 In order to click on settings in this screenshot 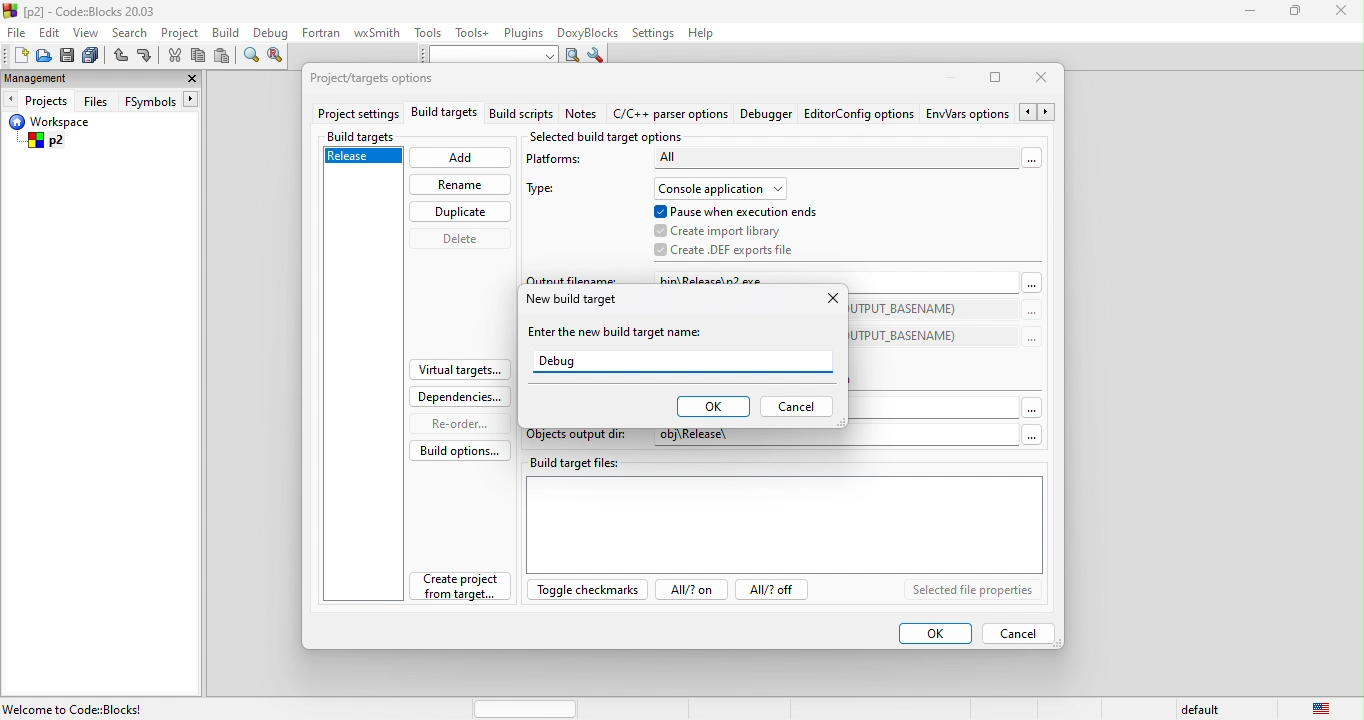, I will do `click(652, 34)`.